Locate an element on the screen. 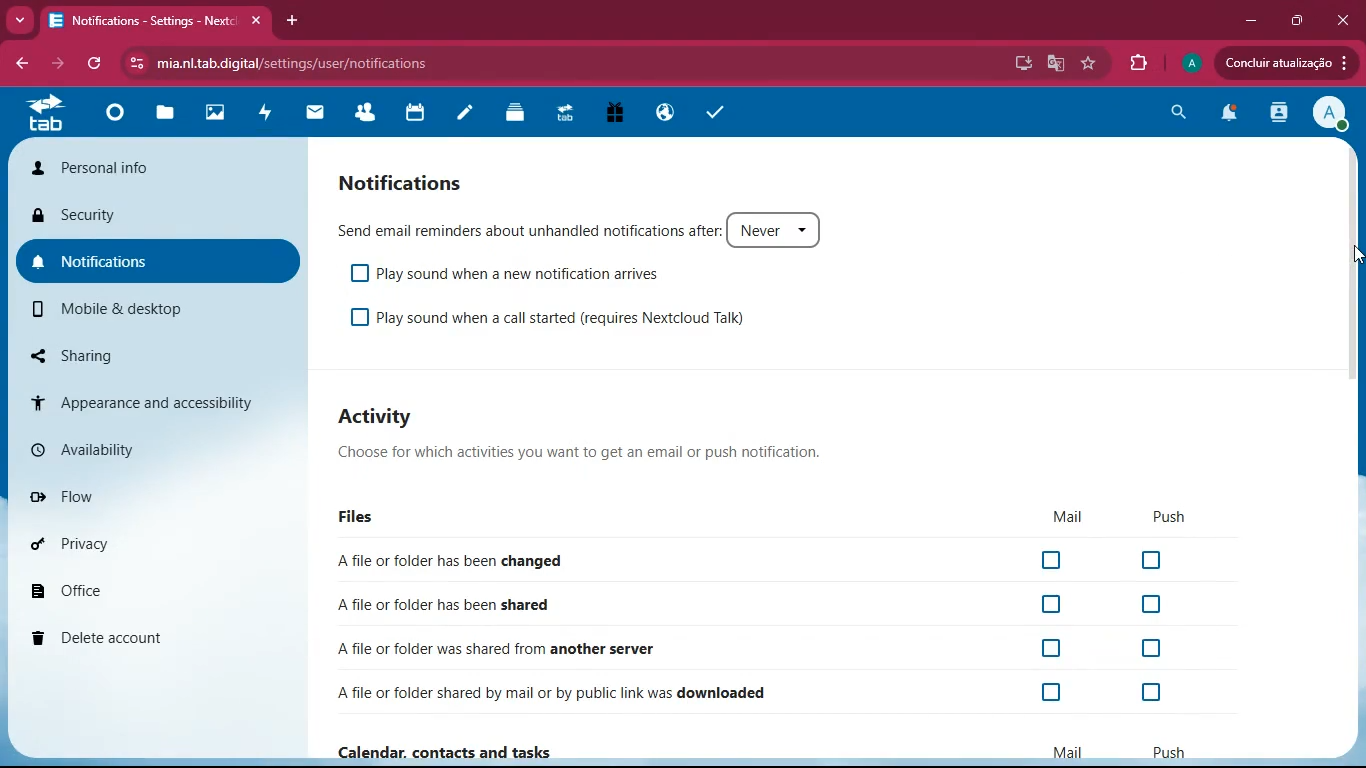 The width and height of the screenshot is (1366, 768). file shared is located at coordinates (437, 606).